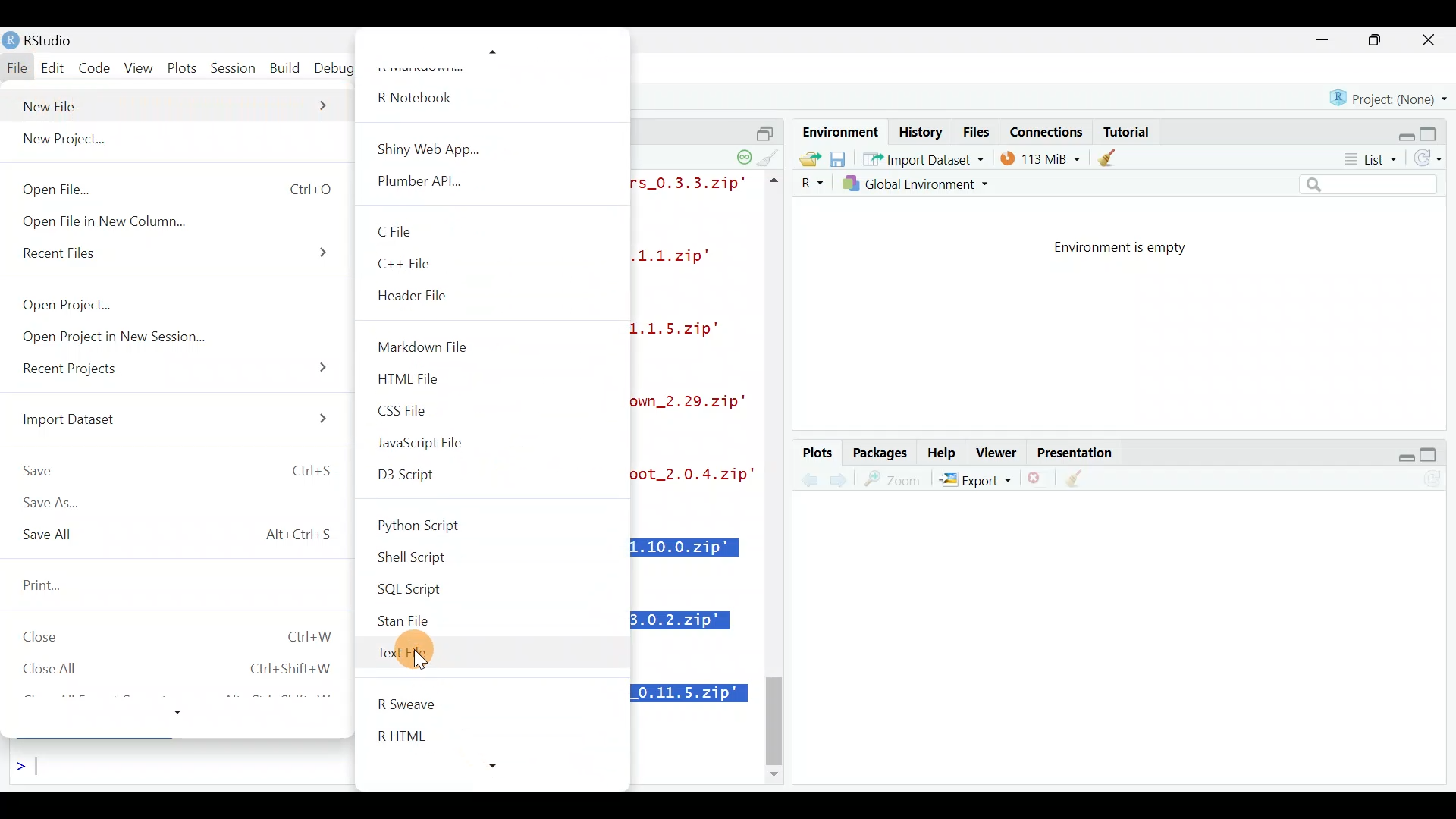 Image resolution: width=1456 pixels, height=819 pixels. What do you see at coordinates (921, 131) in the screenshot?
I see `History` at bounding box center [921, 131].